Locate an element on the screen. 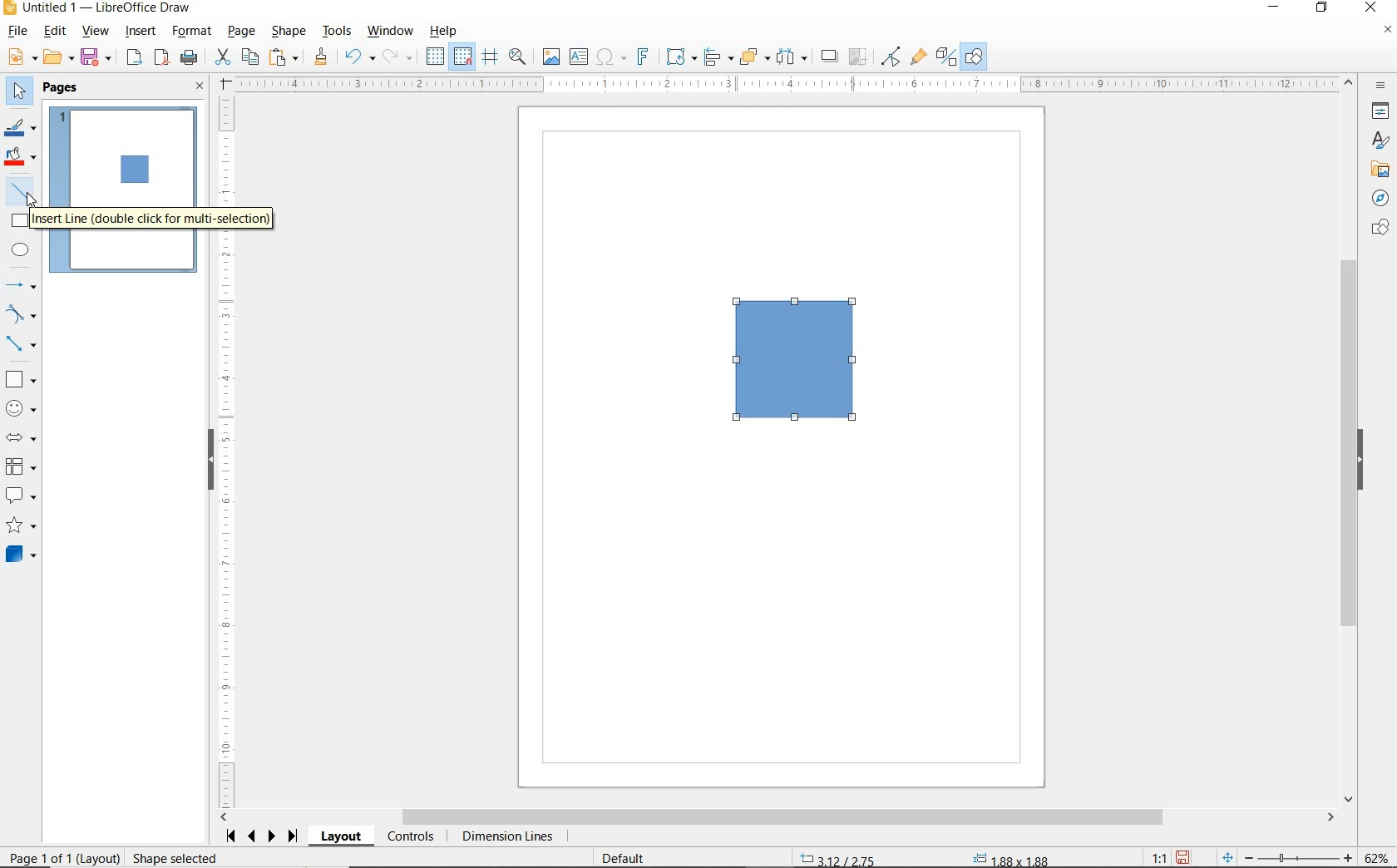 This screenshot has height=868, width=1397. STANDARD SELECTION is located at coordinates (926, 856).